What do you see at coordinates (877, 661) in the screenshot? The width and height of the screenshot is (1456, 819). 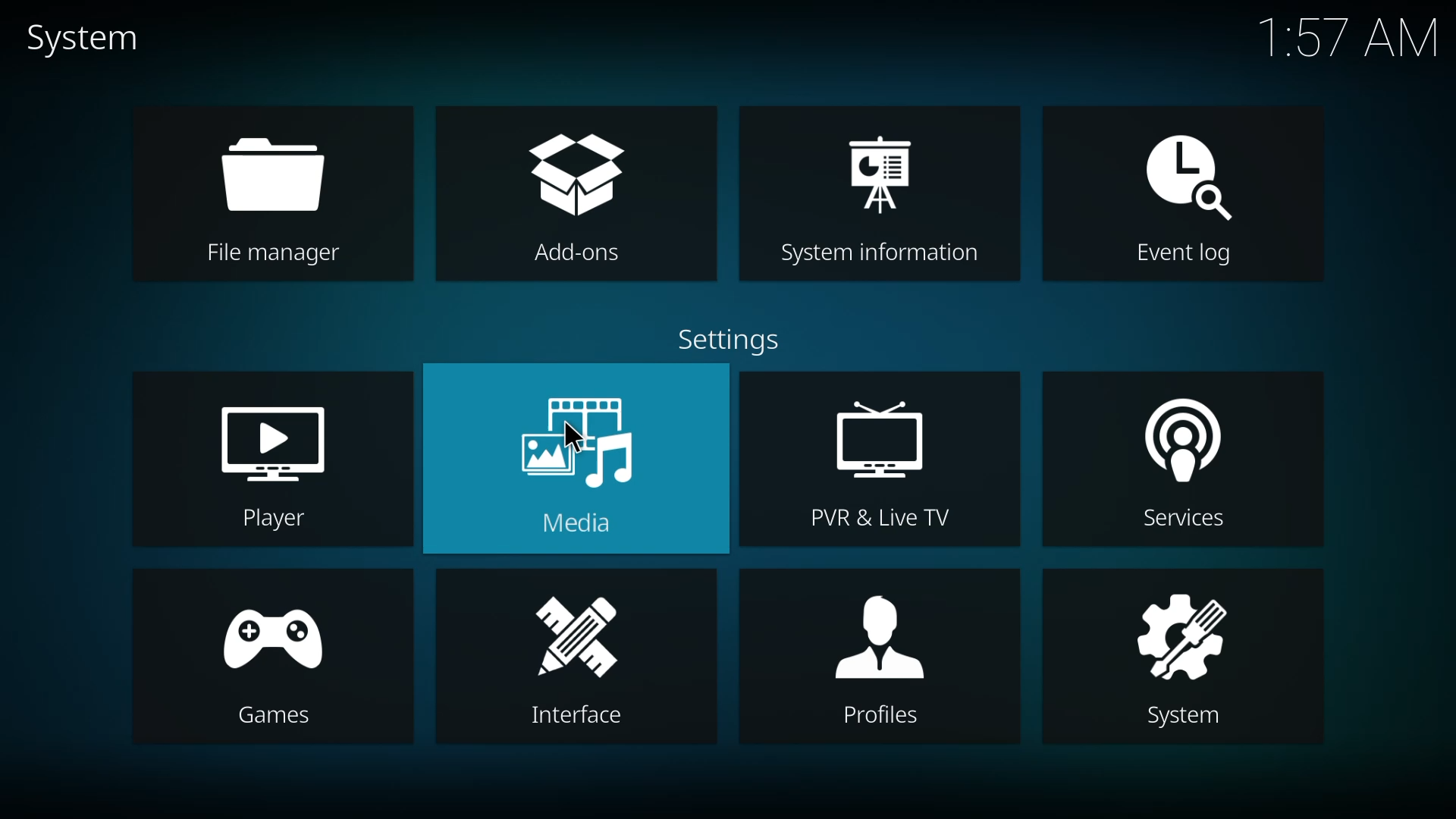 I see `profiles` at bounding box center [877, 661].